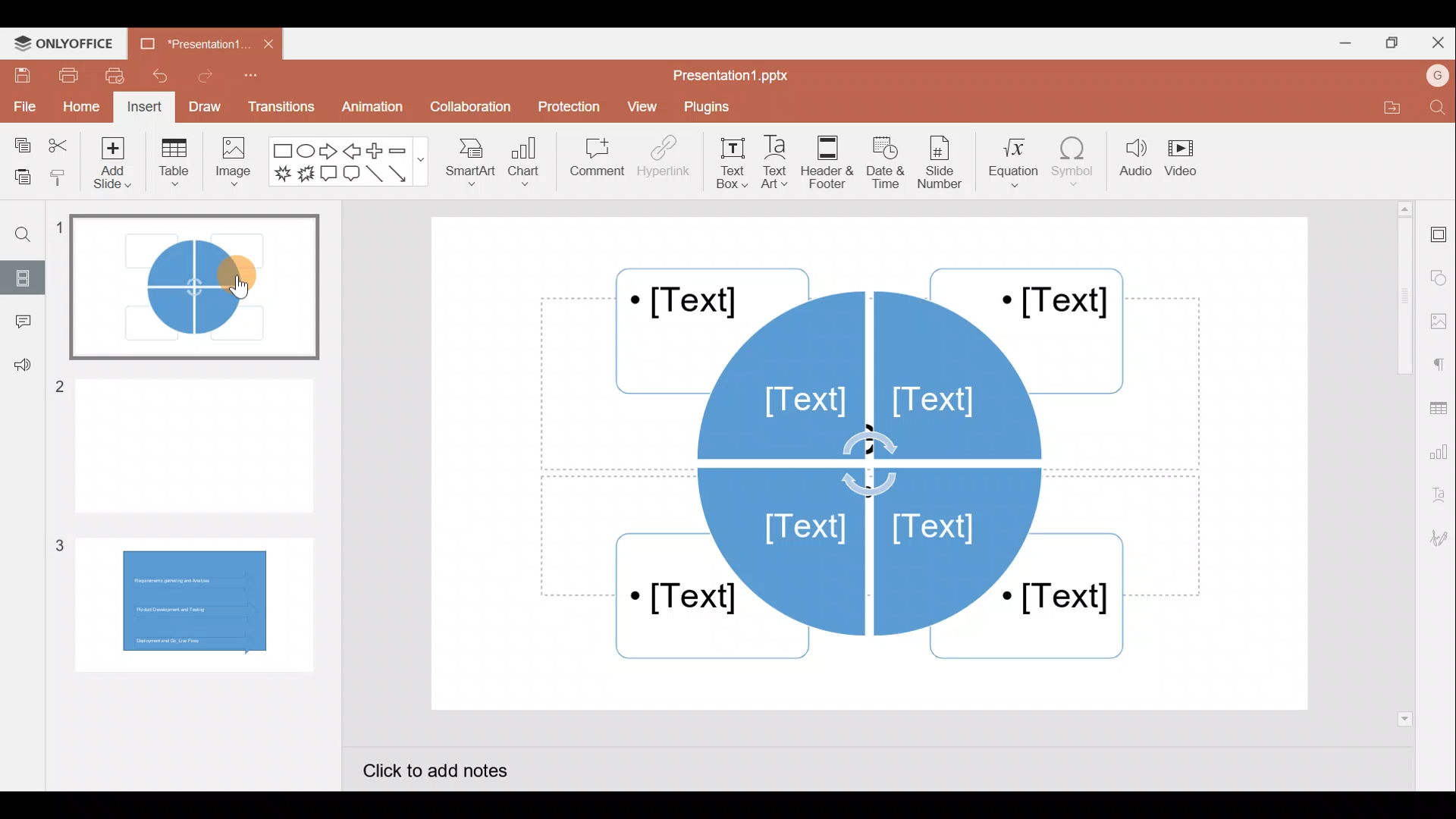 Image resolution: width=1456 pixels, height=819 pixels. Describe the element at coordinates (1439, 40) in the screenshot. I see `Close` at that location.